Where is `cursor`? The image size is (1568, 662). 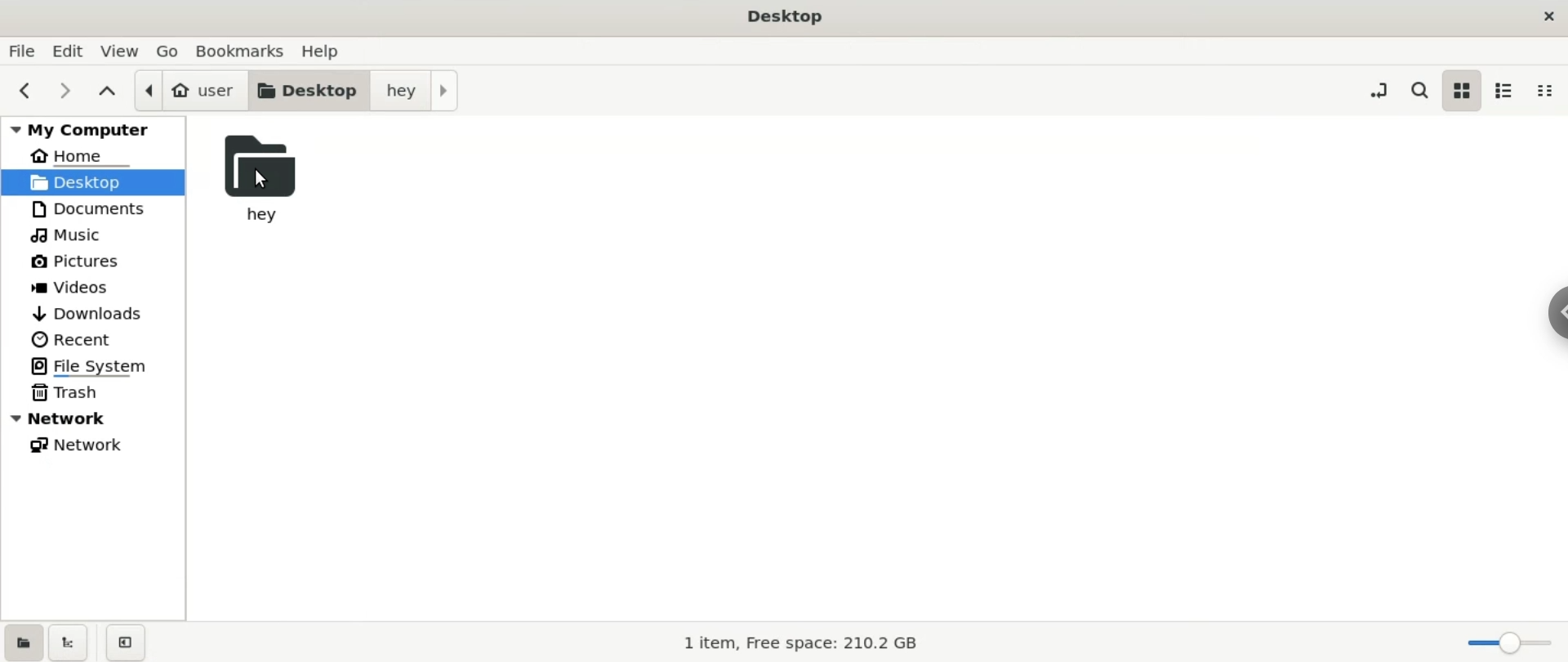
cursor is located at coordinates (260, 181).